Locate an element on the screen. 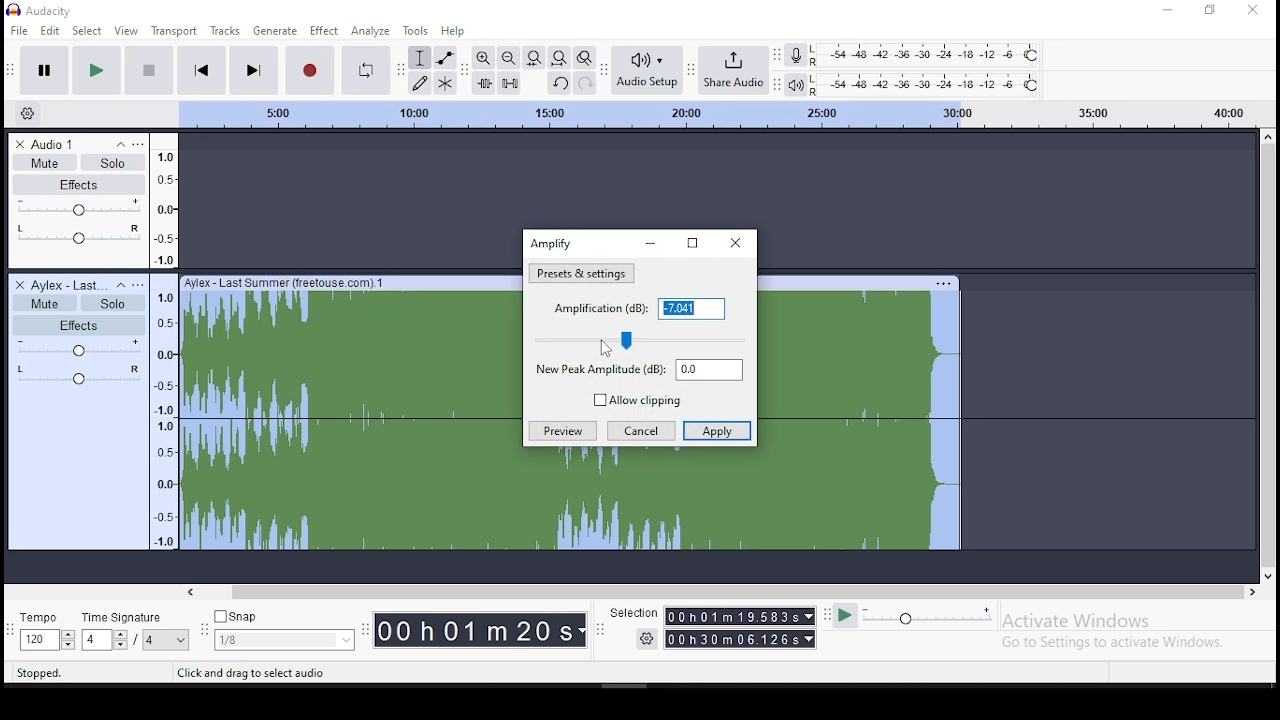 This screenshot has width=1280, height=720. delete track is located at coordinates (16, 284).